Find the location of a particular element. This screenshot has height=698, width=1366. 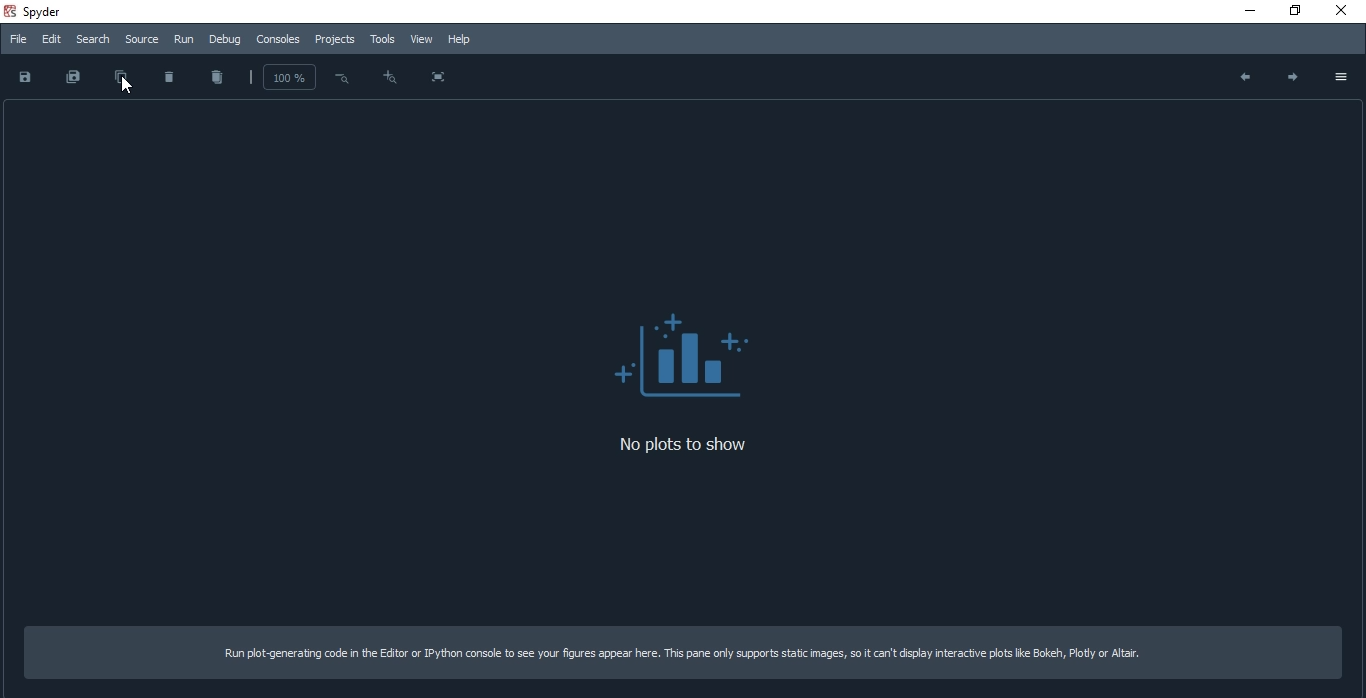

run is located at coordinates (185, 40).